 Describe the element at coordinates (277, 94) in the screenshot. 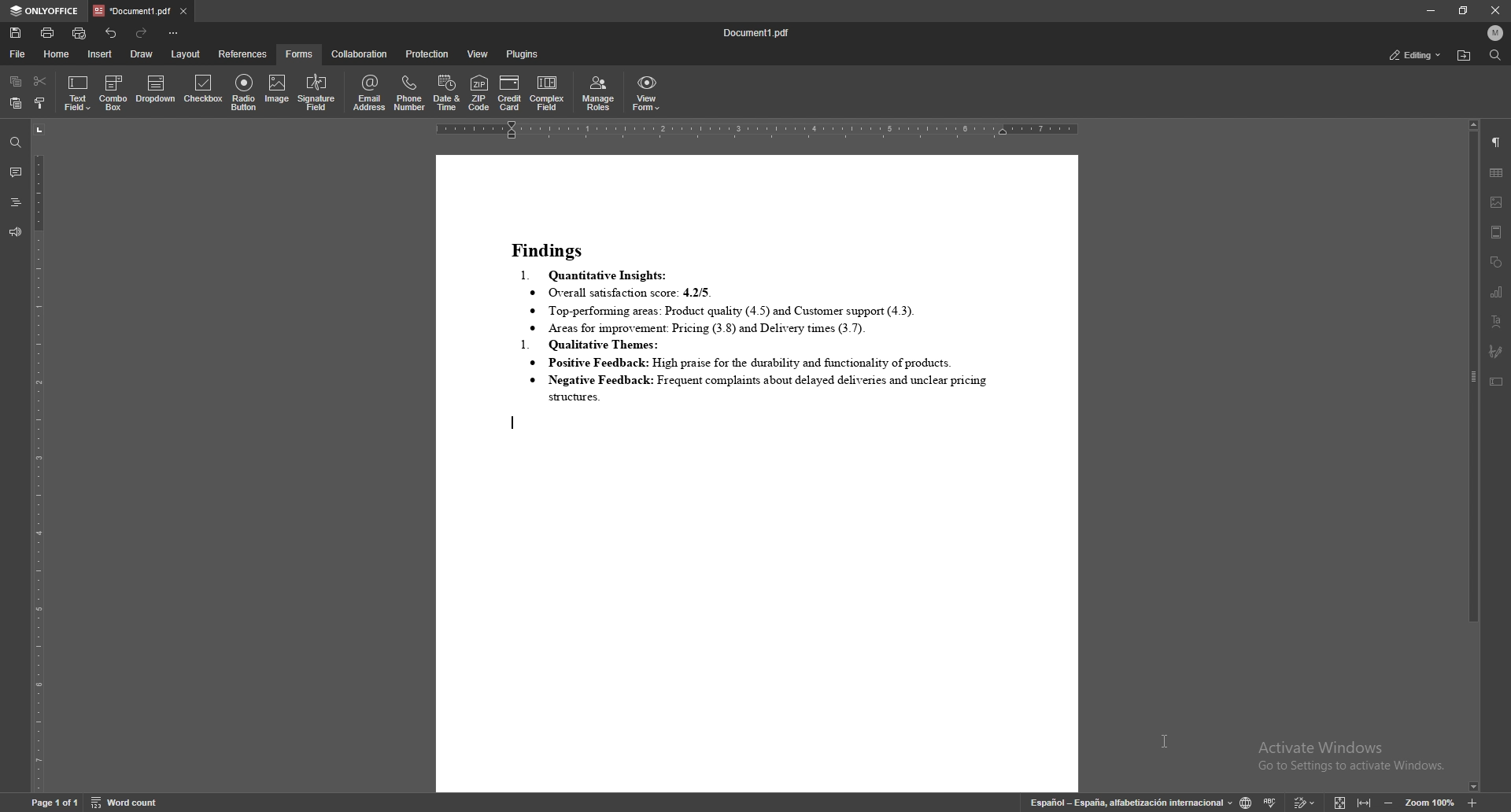

I see `image` at that location.